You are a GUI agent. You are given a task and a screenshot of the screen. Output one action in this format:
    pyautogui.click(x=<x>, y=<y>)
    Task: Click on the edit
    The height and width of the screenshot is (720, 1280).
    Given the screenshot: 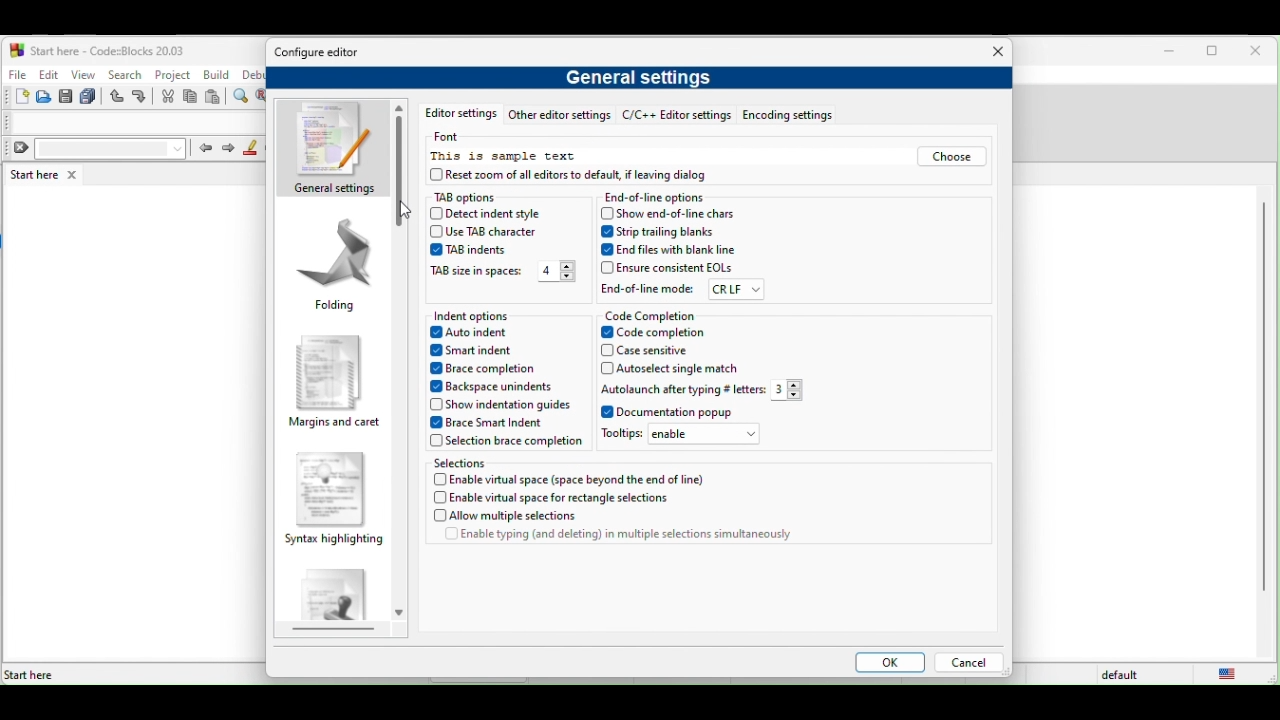 What is the action you would take?
    pyautogui.click(x=48, y=74)
    